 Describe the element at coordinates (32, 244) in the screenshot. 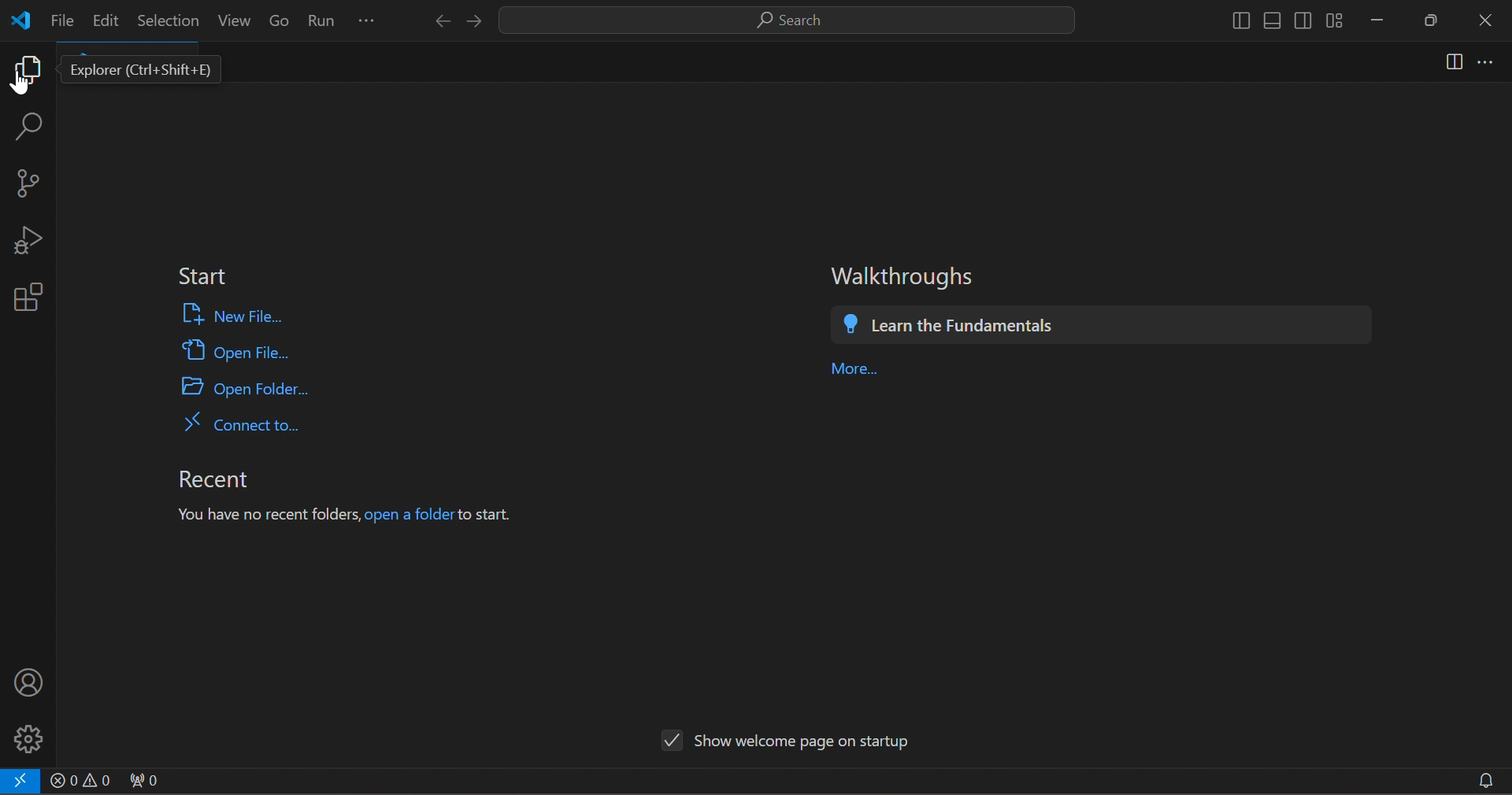

I see `bug` at that location.